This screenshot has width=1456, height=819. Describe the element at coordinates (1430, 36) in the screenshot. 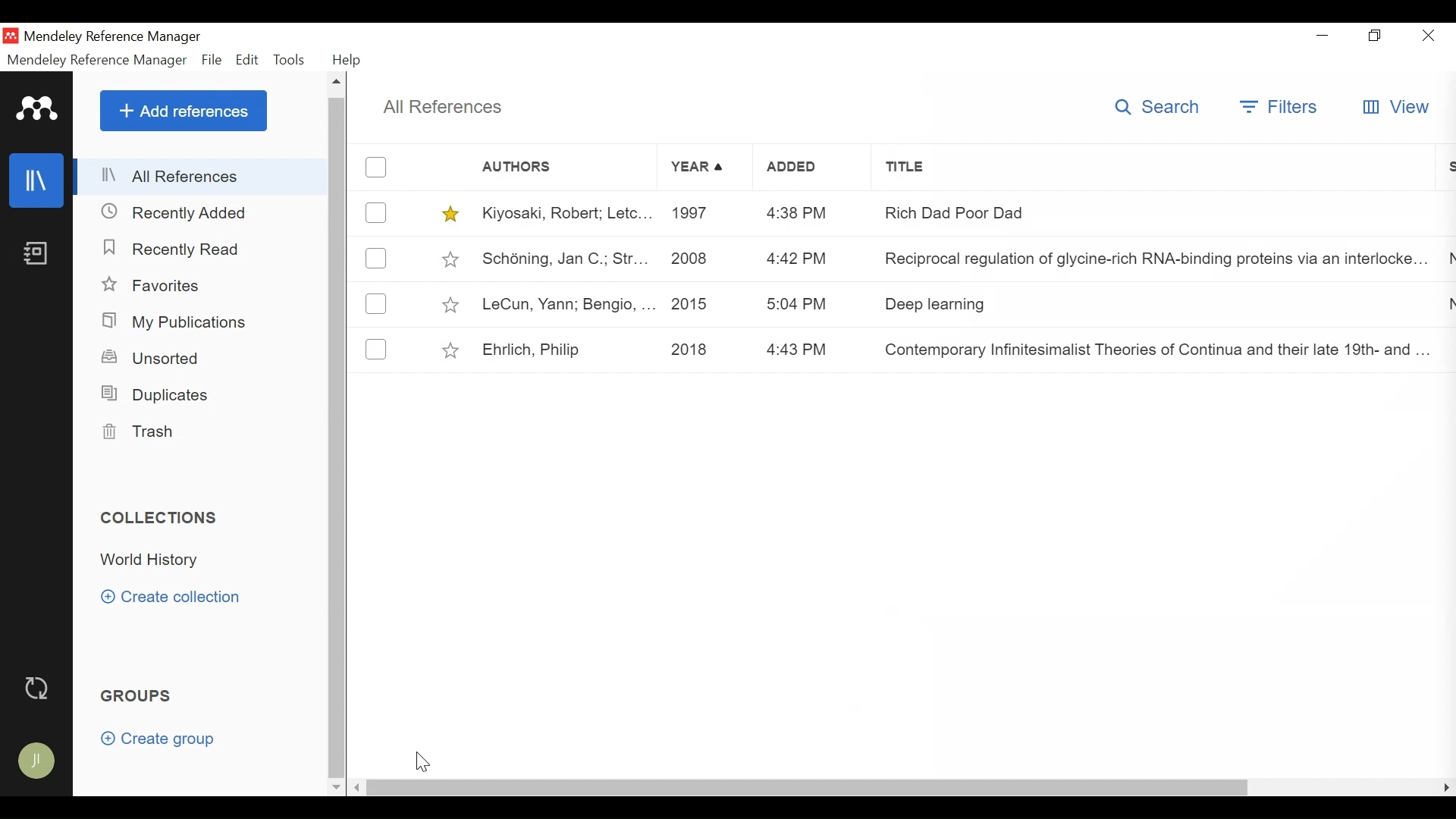

I see `Close` at that location.